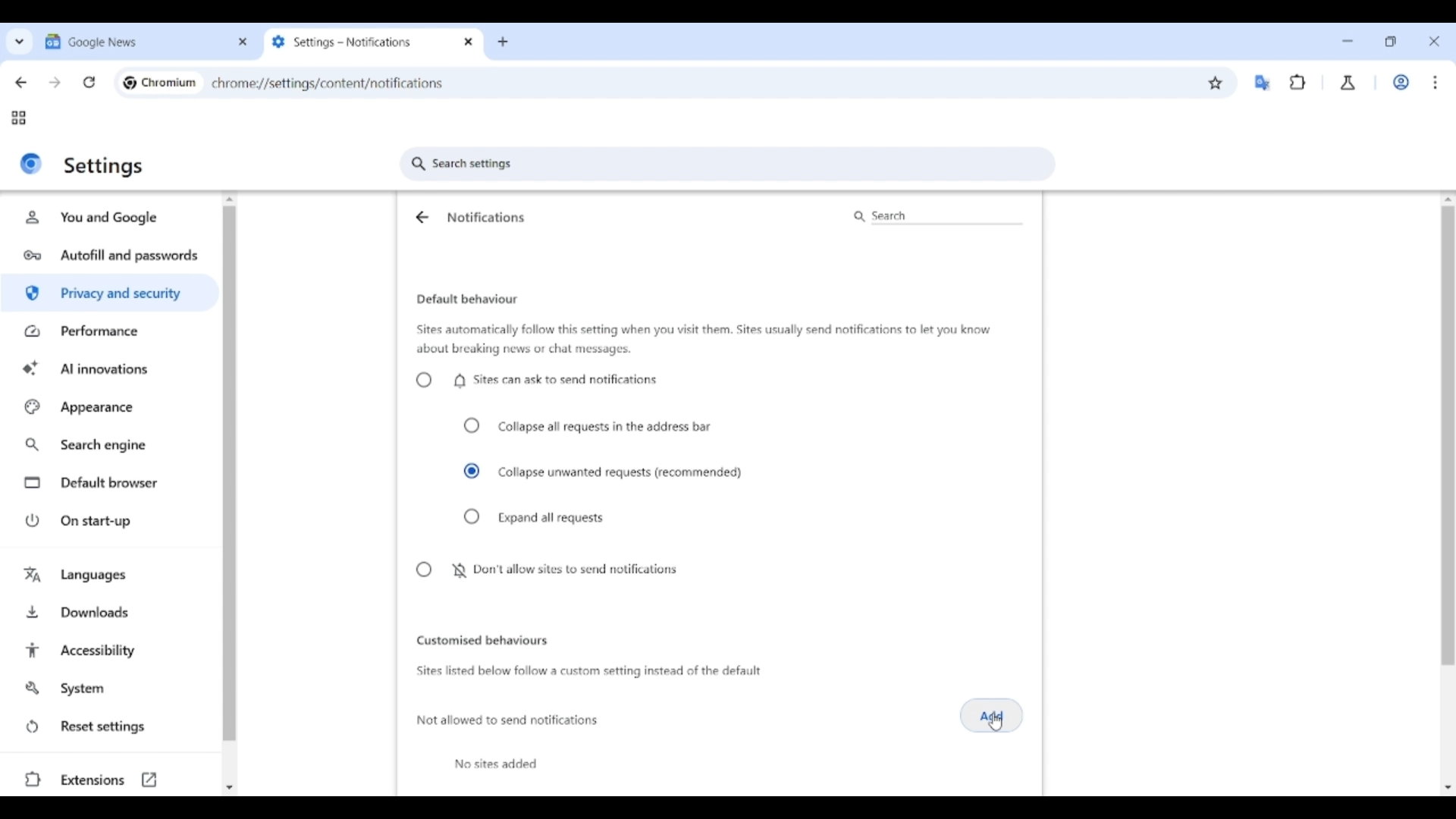  What do you see at coordinates (111, 445) in the screenshot?
I see `Search engine` at bounding box center [111, 445].